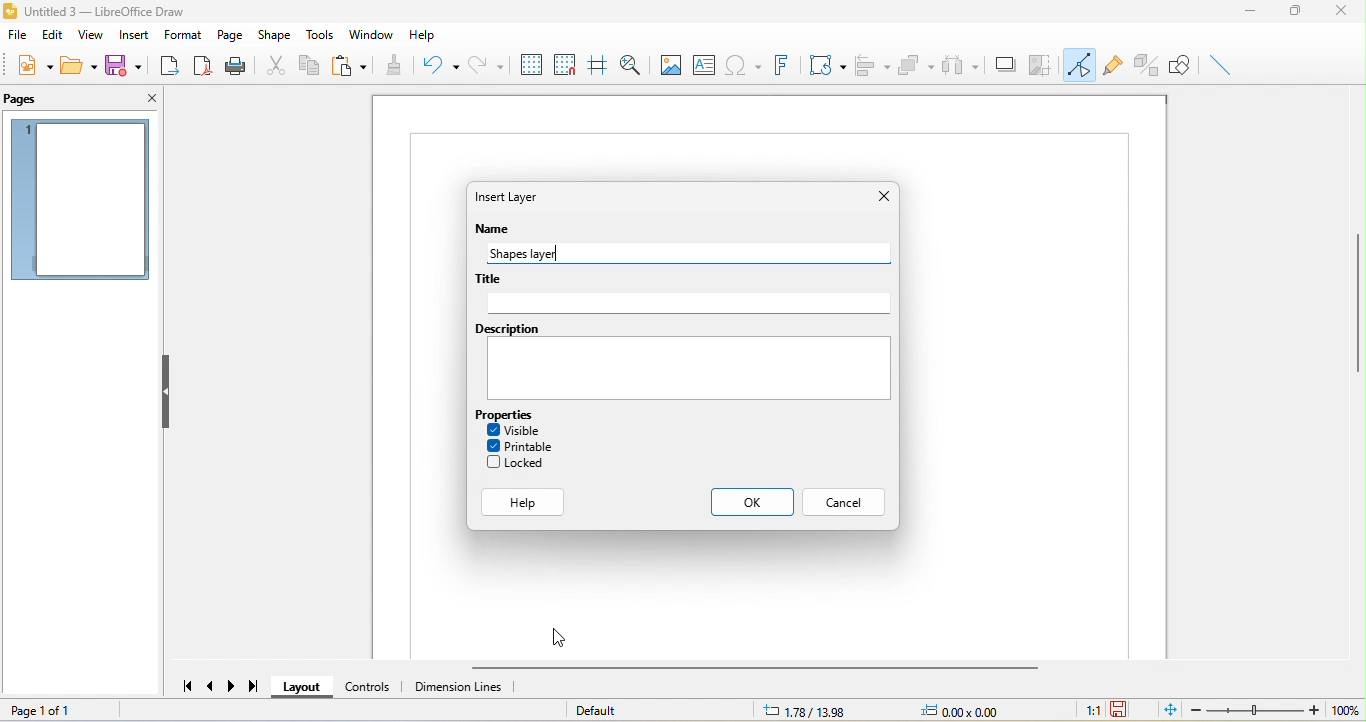 This screenshot has height=722, width=1366. I want to click on text box, so click(702, 65).